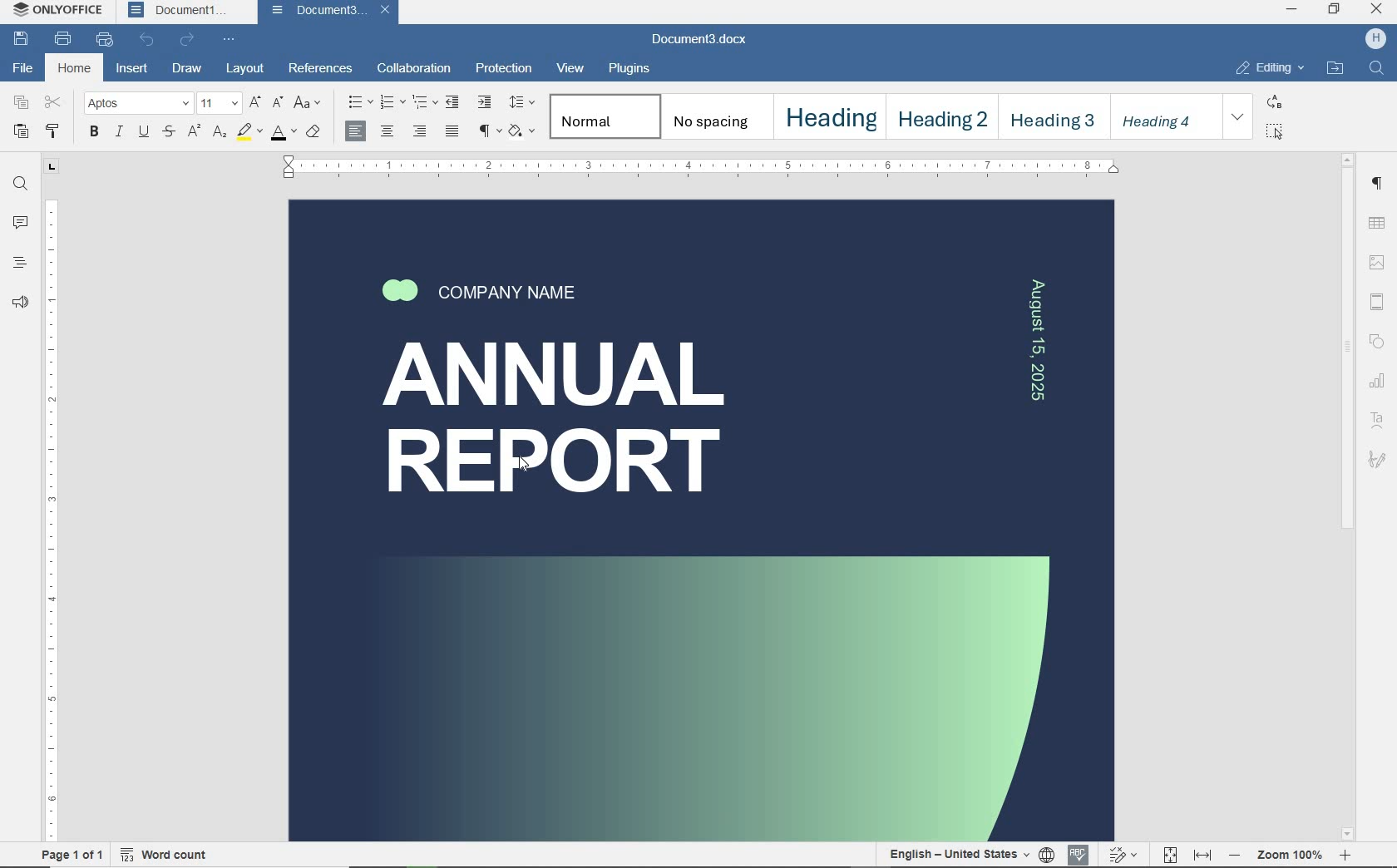 Image resolution: width=1397 pixels, height=868 pixels. What do you see at coordinates (22, 103) in the screenshot?
I see `copy` at bounding box center [22, 103].